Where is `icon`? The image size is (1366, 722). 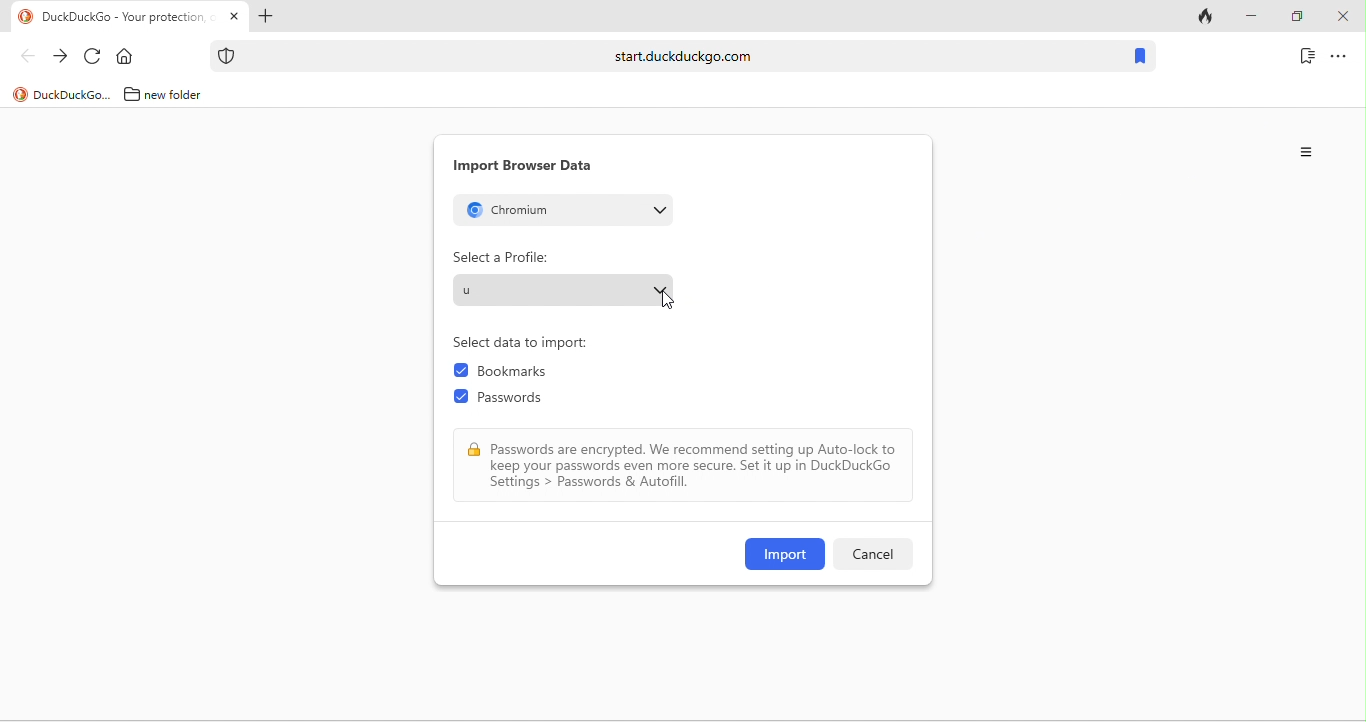 icon is located at coordinates (227, 56).